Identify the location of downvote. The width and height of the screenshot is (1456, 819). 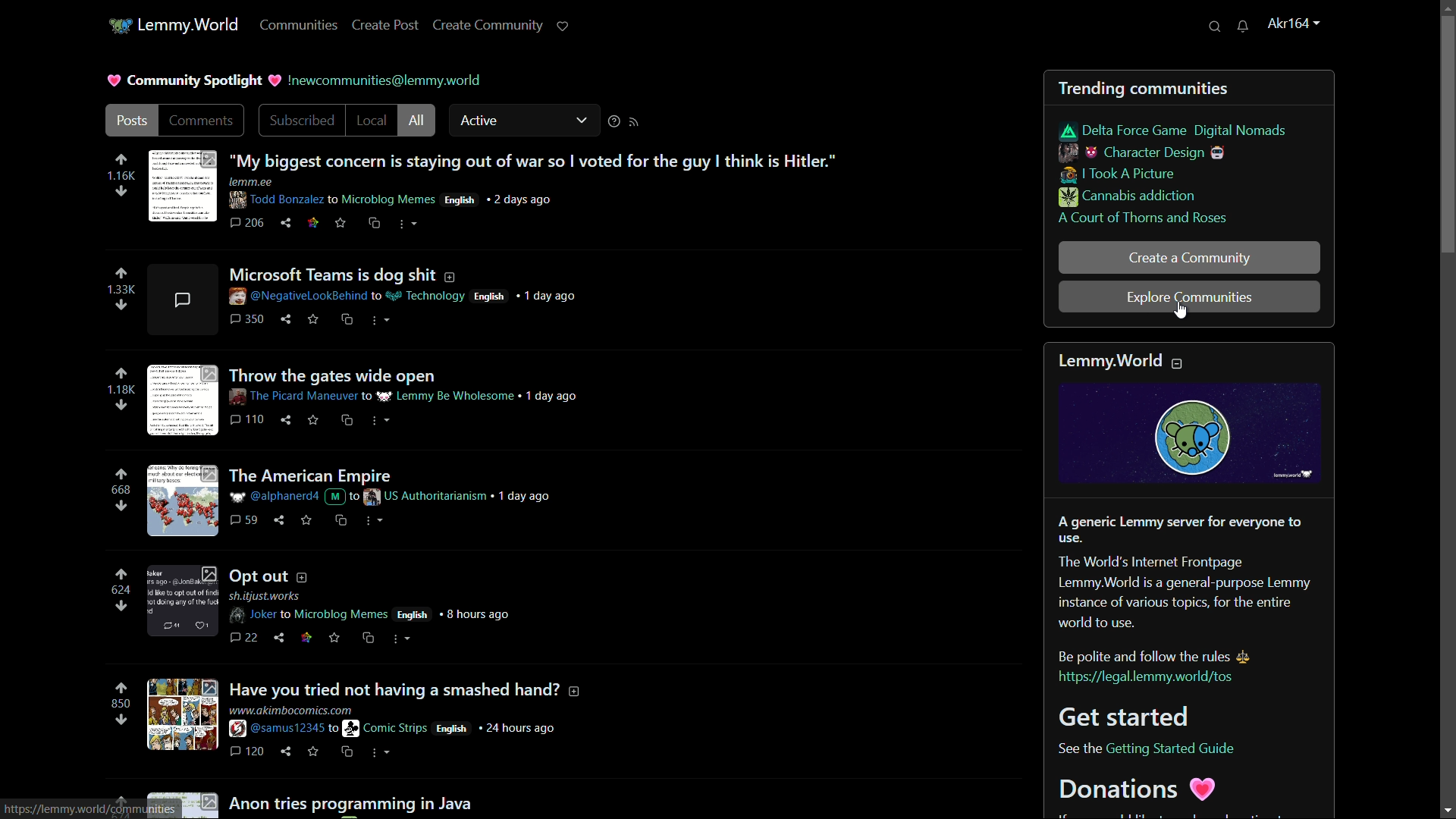
(124, 304).